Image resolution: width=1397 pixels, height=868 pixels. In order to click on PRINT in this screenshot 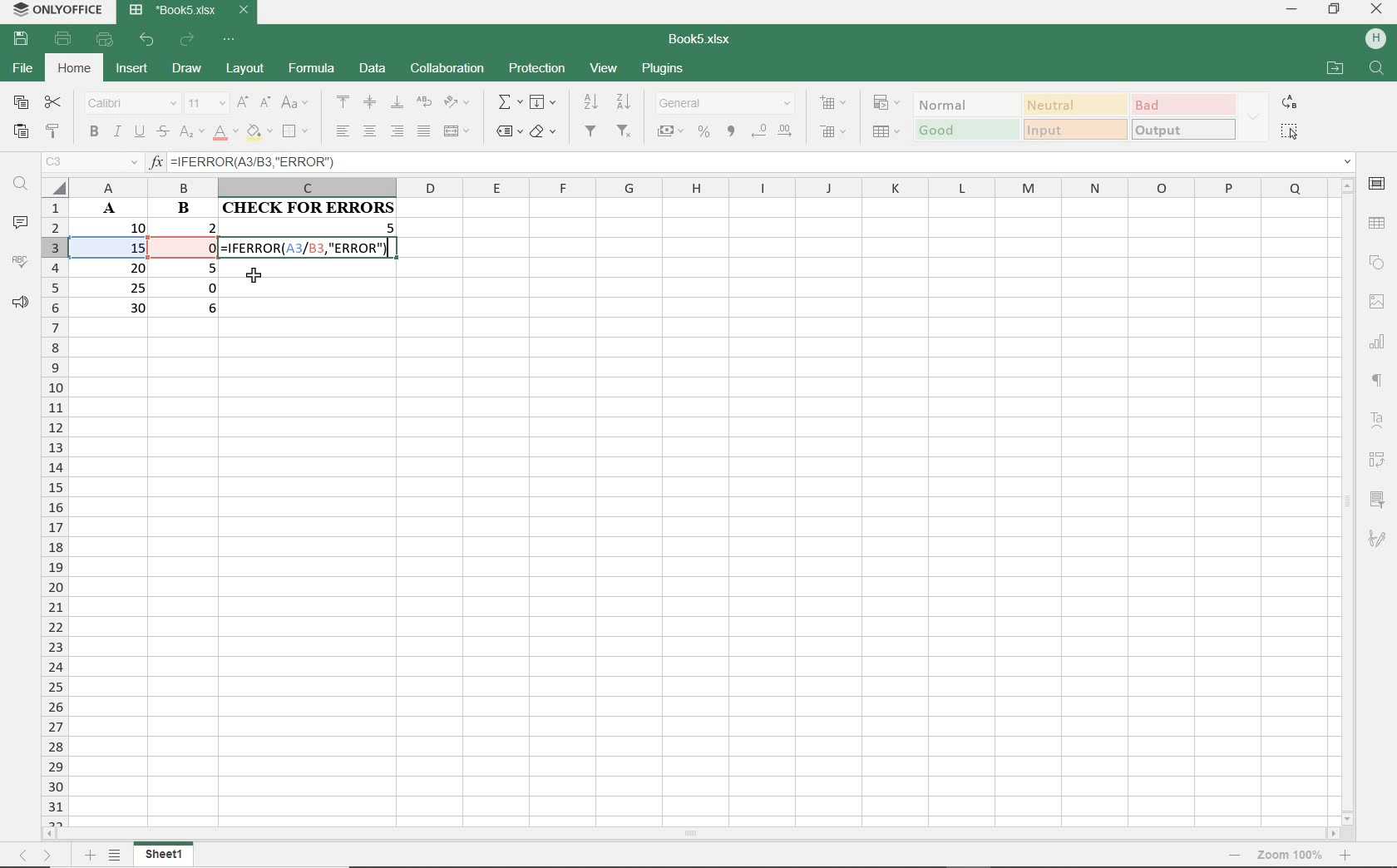, I will do `click(66, 40)`.